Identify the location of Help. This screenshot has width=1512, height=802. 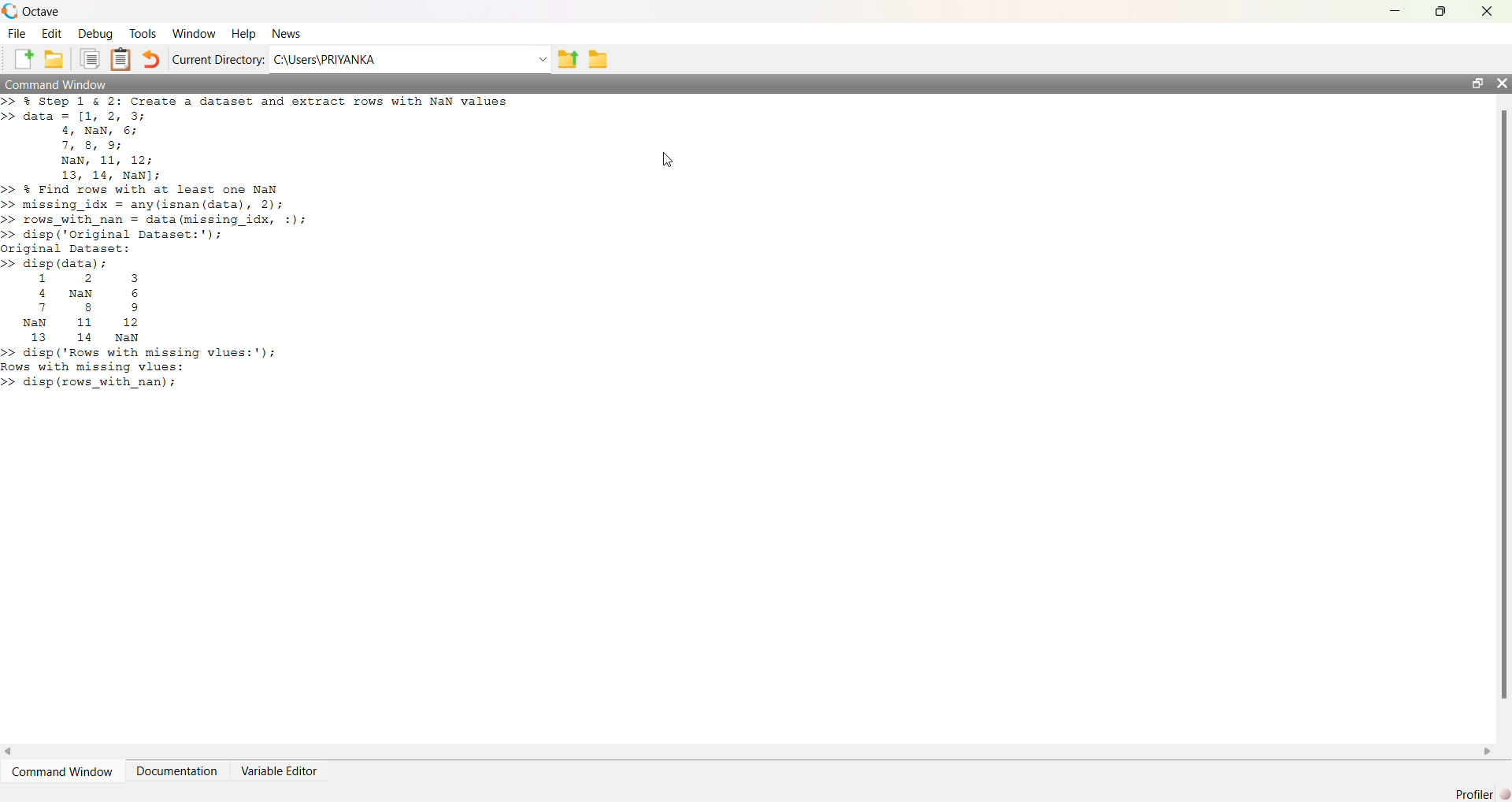
(243, 35).